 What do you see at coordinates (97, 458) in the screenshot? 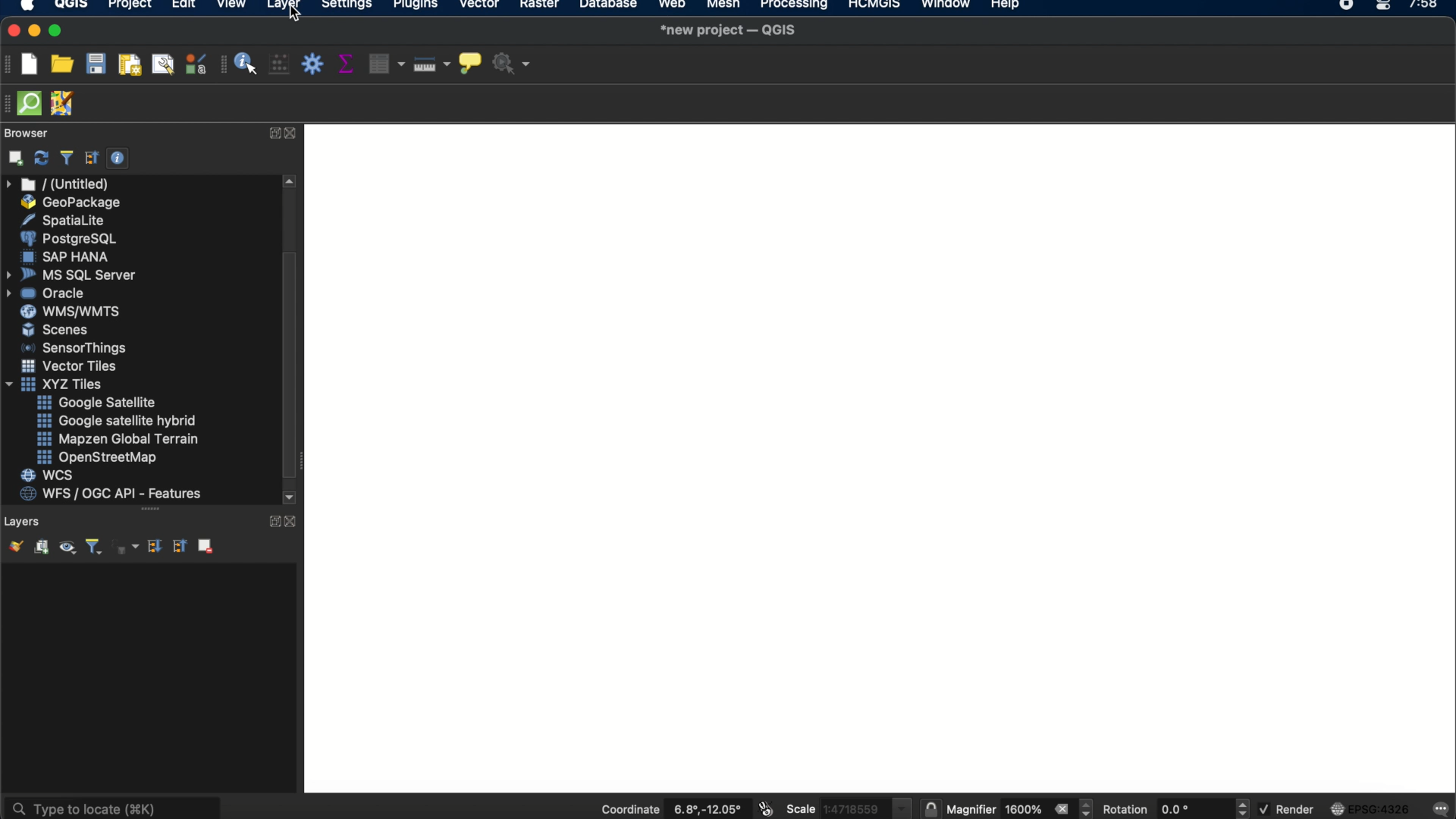
I see `openstreetmap` at bounding box center [97, 458].